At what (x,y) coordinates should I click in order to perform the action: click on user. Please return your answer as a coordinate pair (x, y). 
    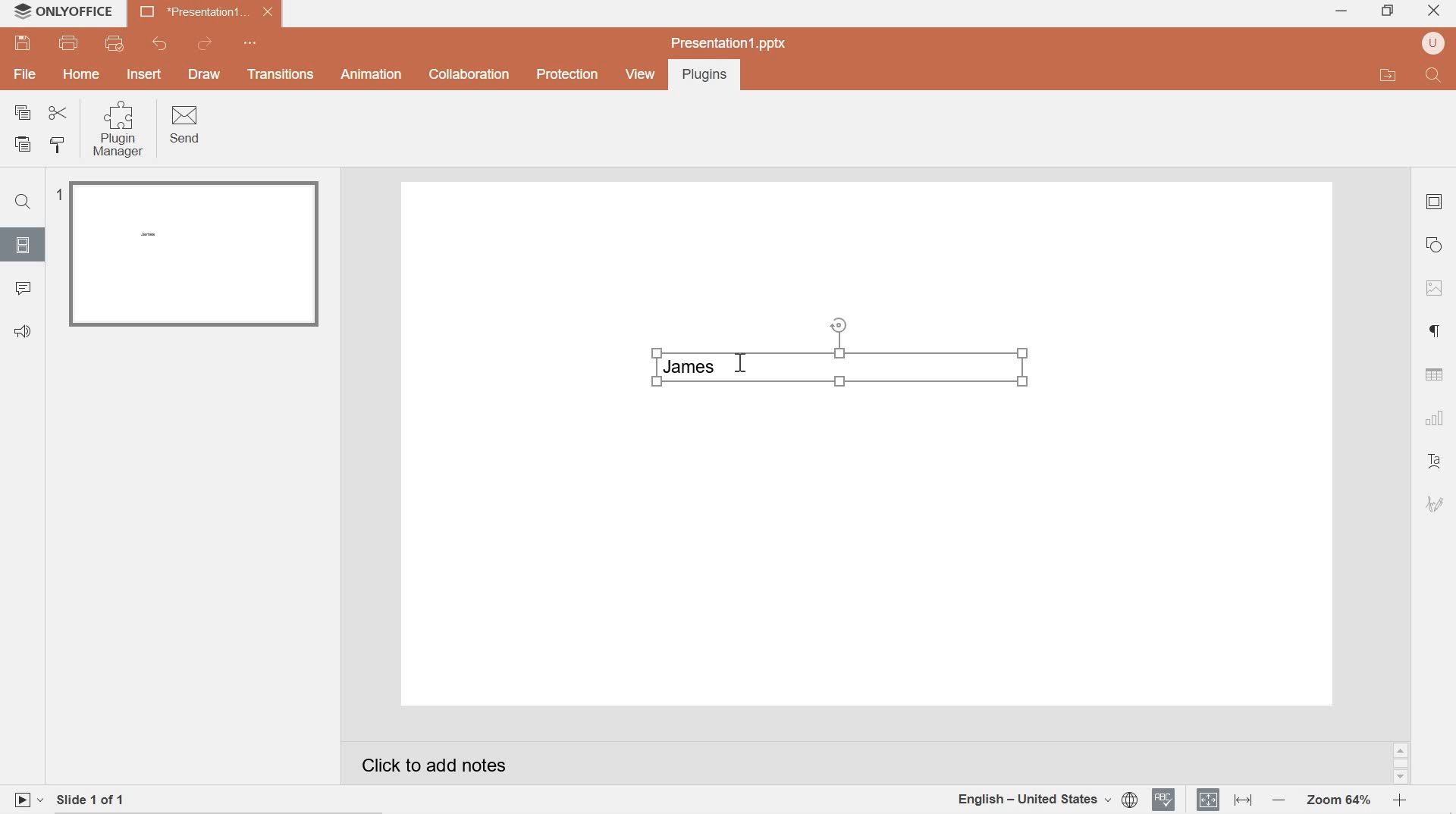
    Looking at the image, I should click on (1433, 44).